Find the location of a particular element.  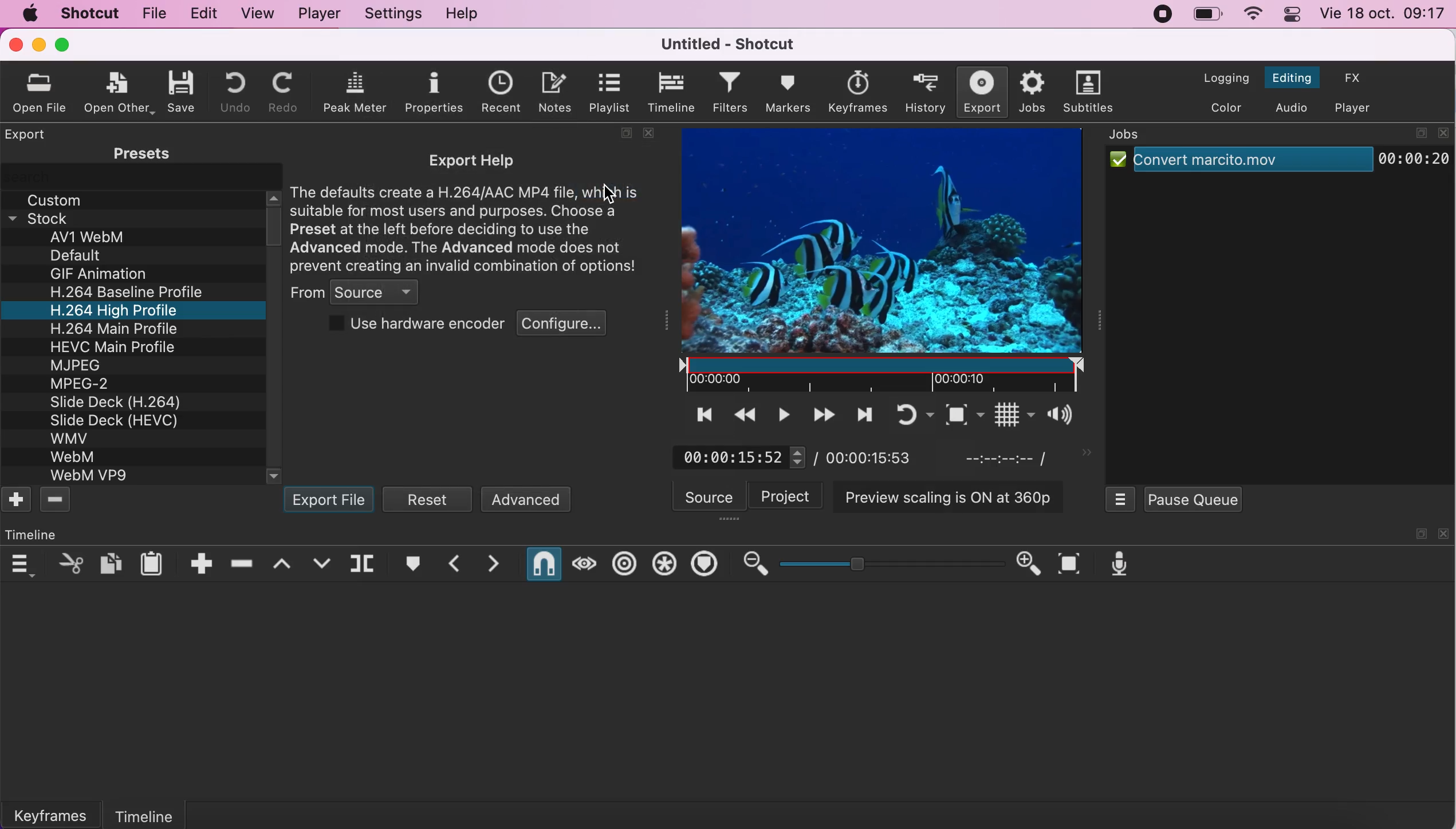

switch to the player only layout is located at coordinates (1354, 109).